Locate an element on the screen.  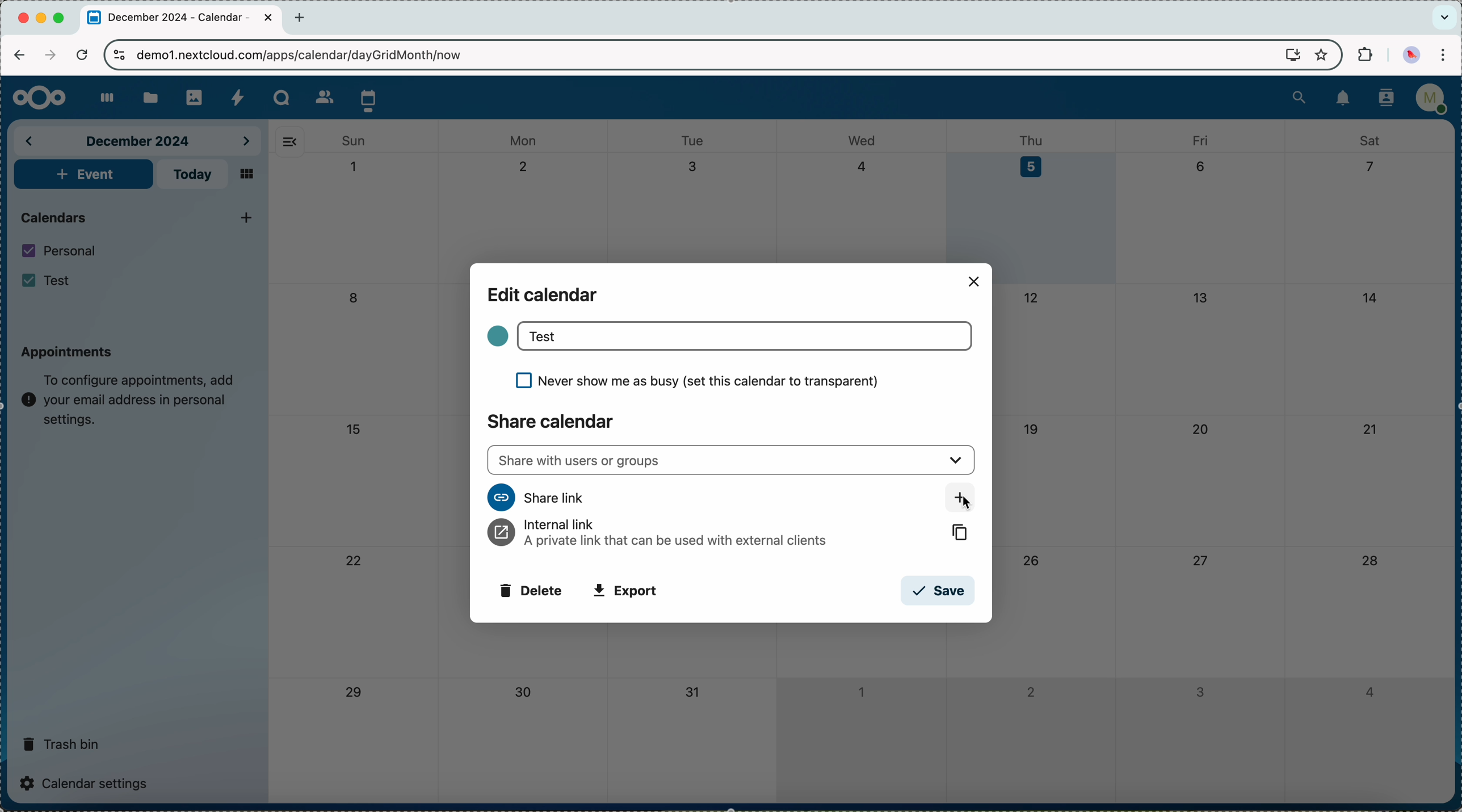
color calendar is located at coordinates (495, 336).